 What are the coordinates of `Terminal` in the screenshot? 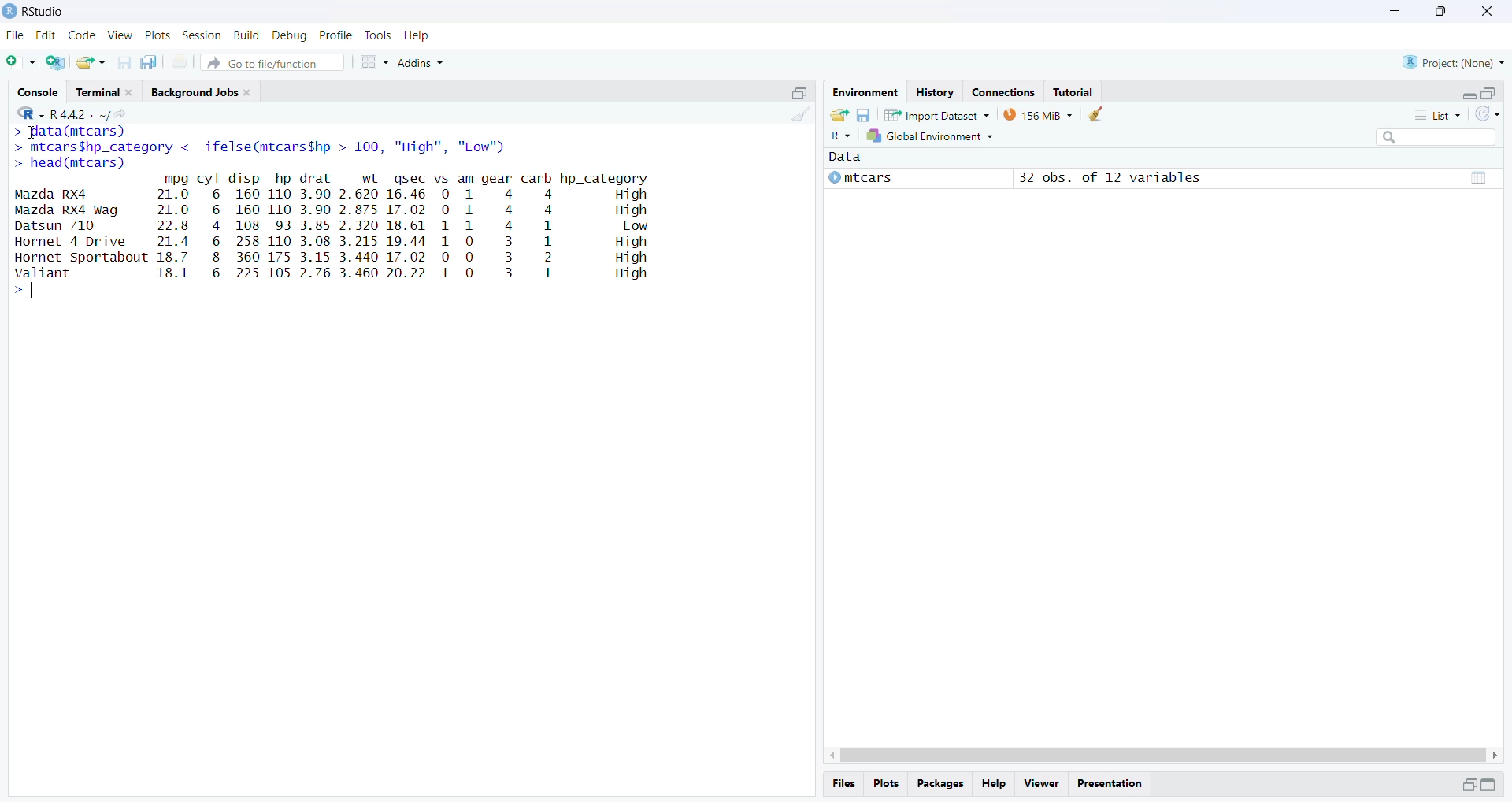 It's located at (106, 91).